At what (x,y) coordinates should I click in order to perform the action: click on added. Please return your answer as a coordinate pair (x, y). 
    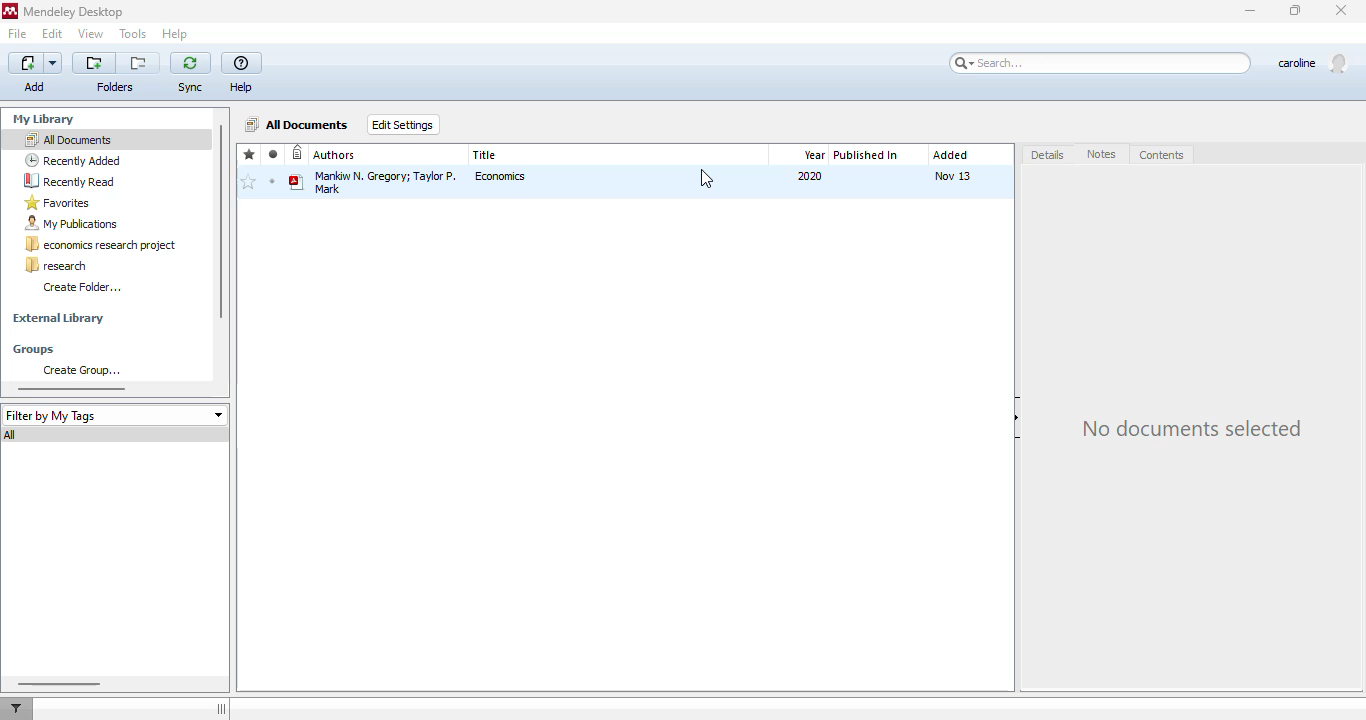
    Looking at the image, I should click on (950, 155).